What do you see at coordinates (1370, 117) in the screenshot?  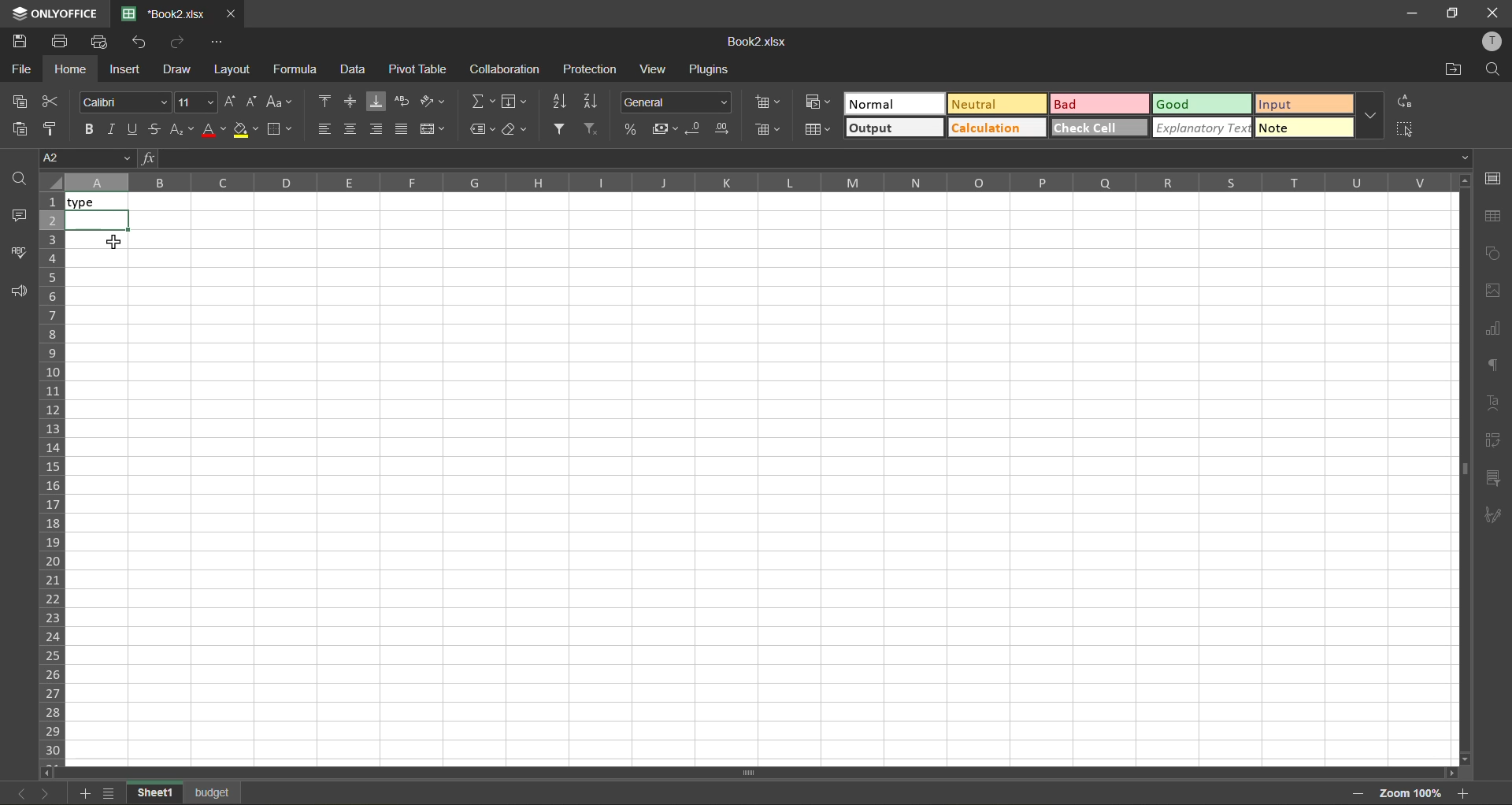 I see `more options` at bounding box center [1370, 117].